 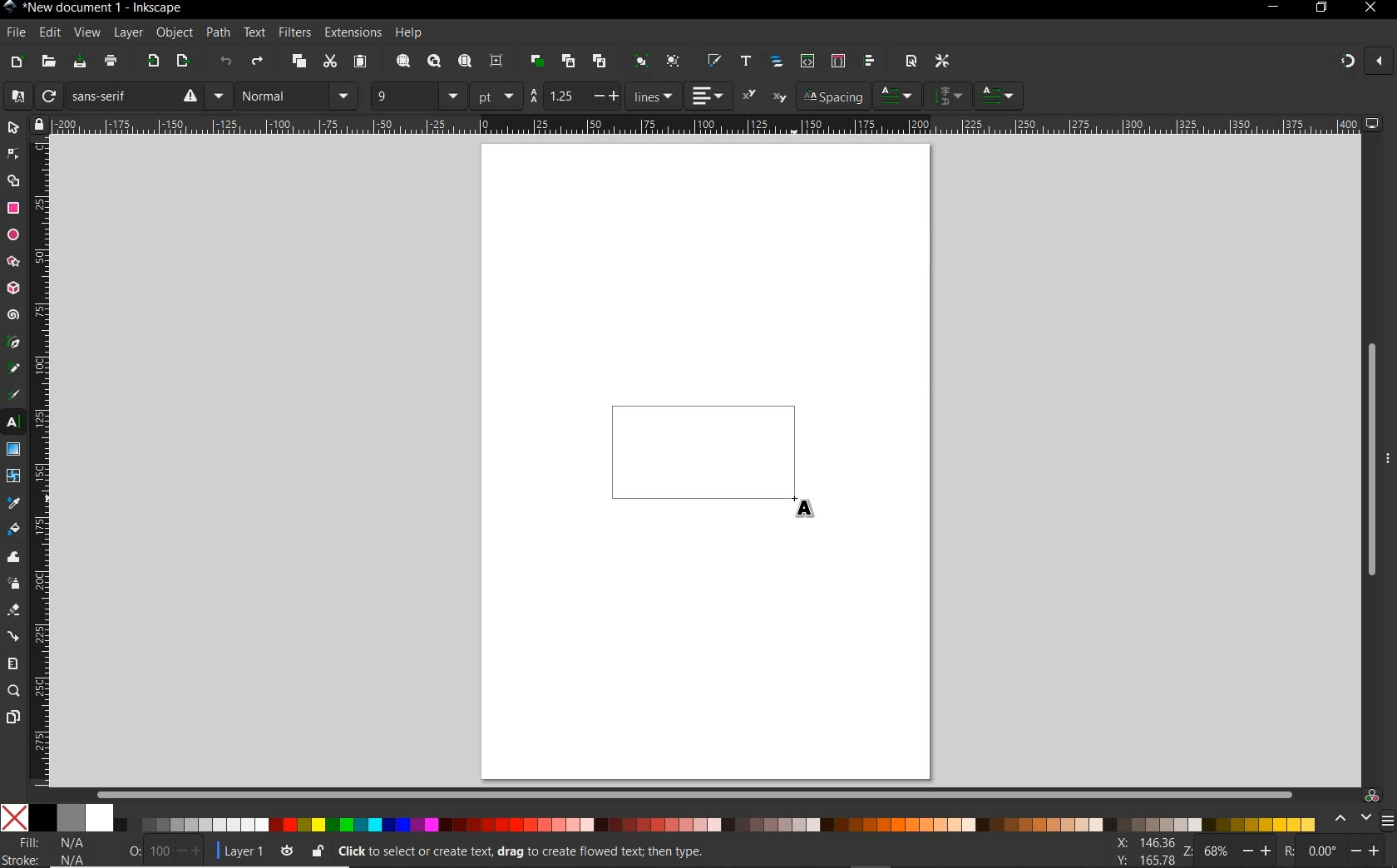 What do you see at coordinates (1367, 849) in the screenshot?
I see `increase/decrease` at bounding box center [1367, 849].